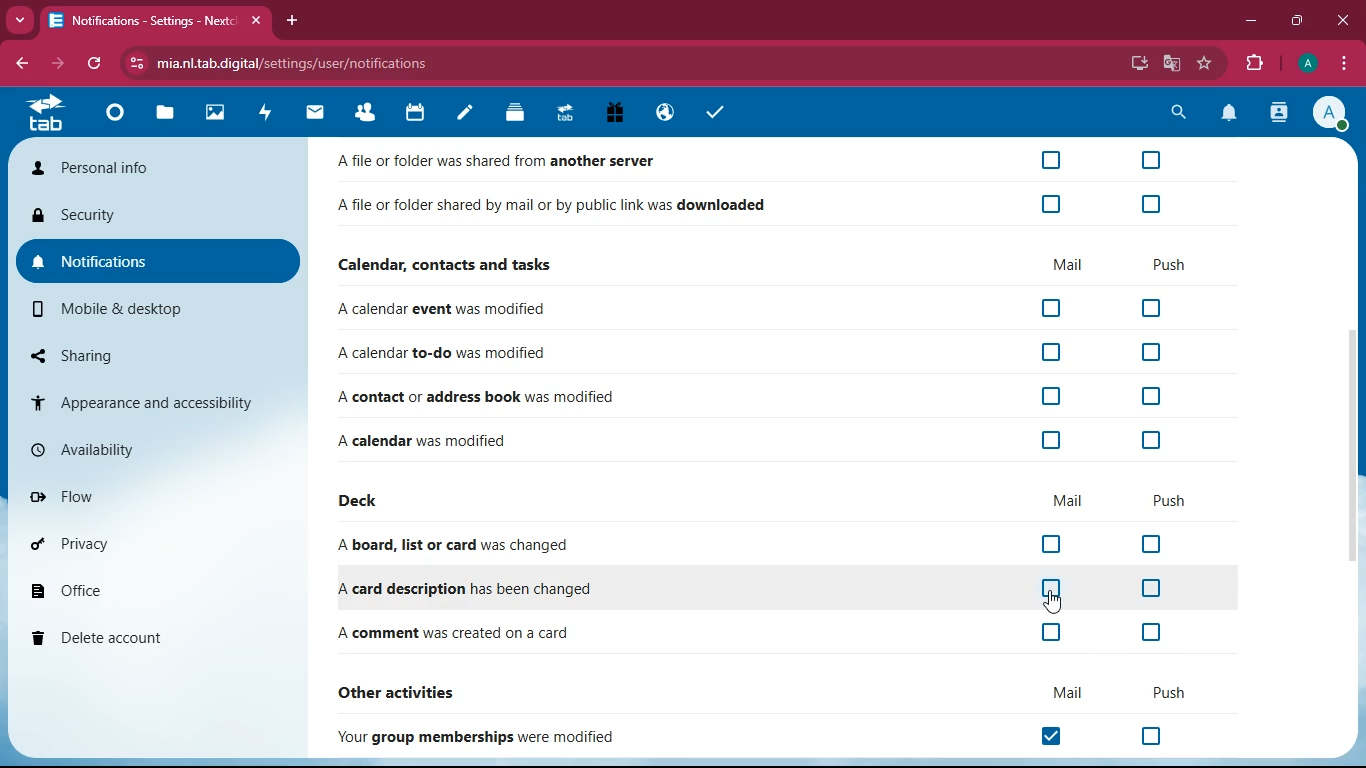  Describe the element at coordinates (159, 263) in the screenshot. I see `notifications` at that location.